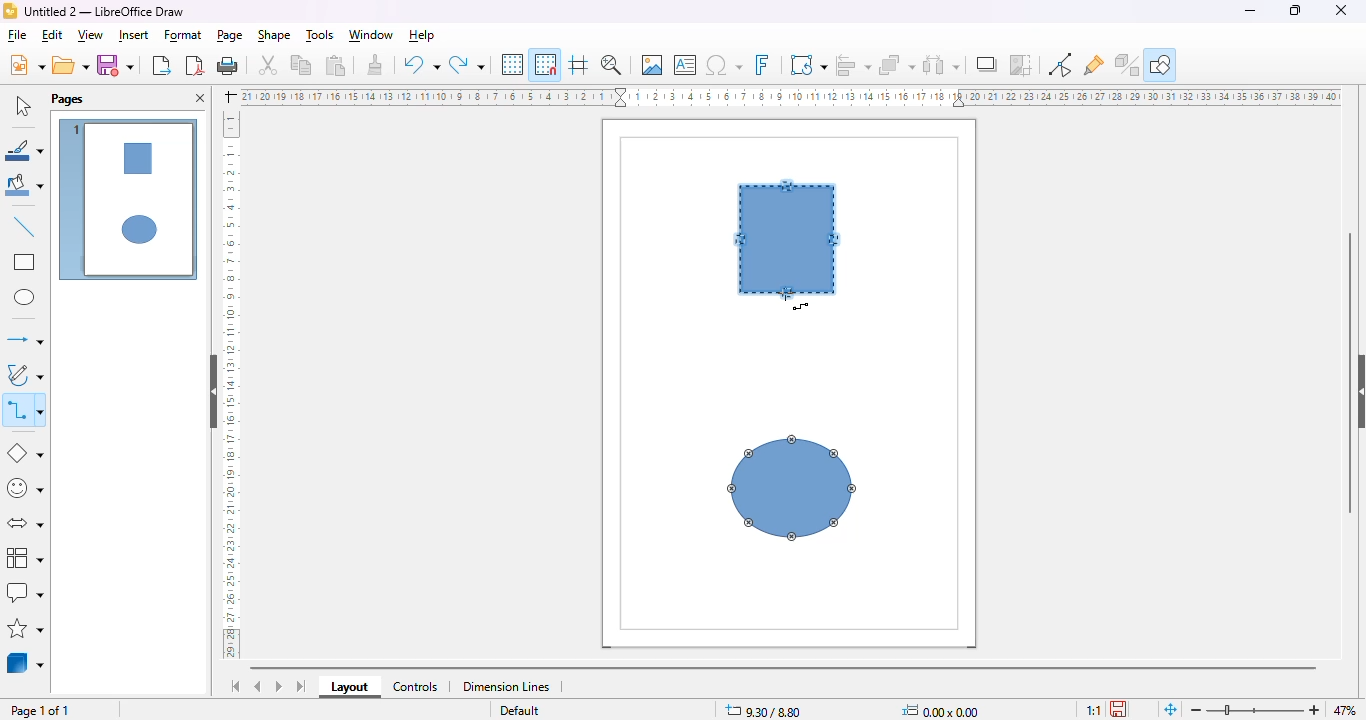  Describe the element at coordinates (18, 36) in the screenshot. I see `file` at that location.